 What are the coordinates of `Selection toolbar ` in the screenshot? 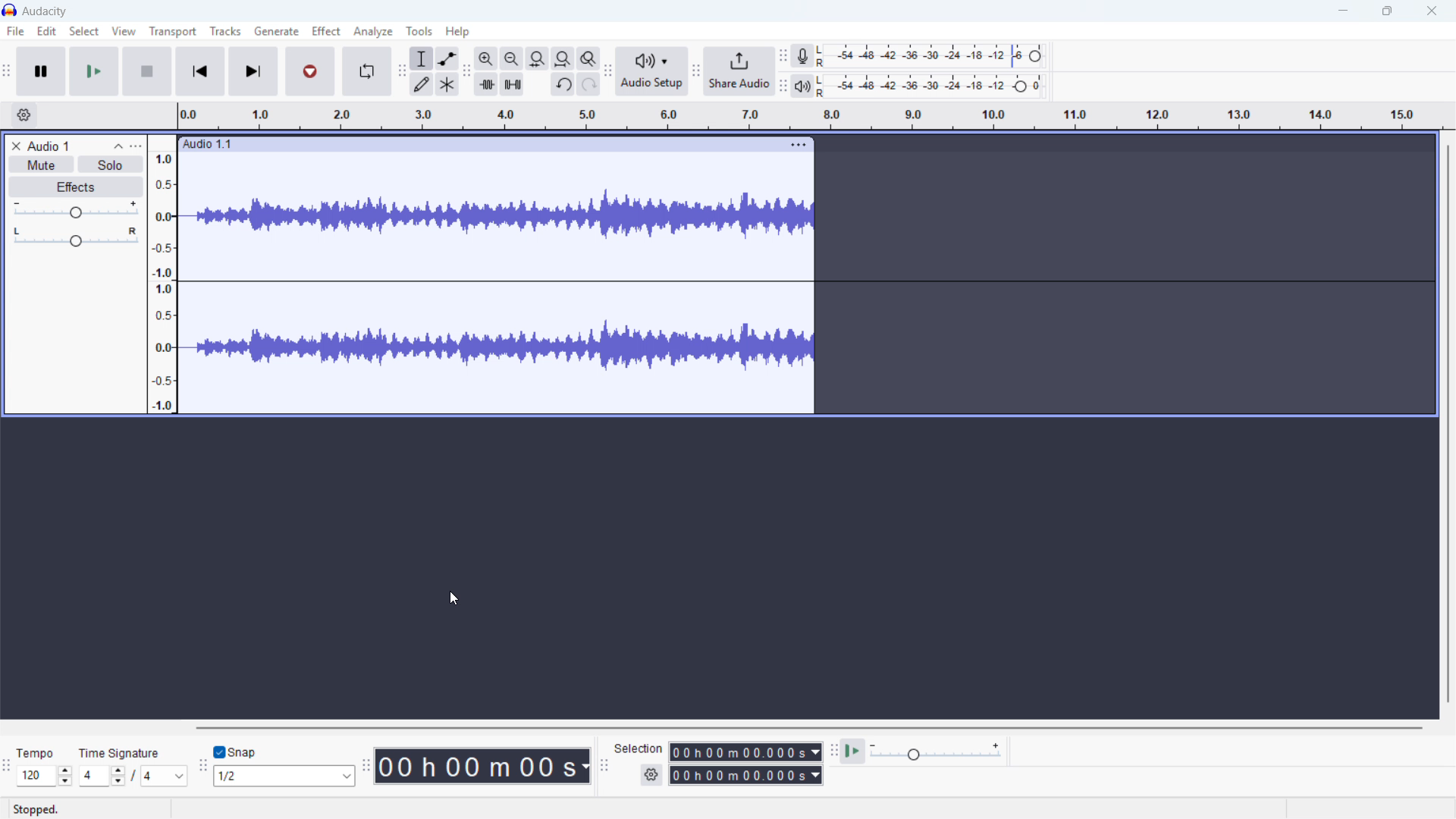 It's located at (604, 764).